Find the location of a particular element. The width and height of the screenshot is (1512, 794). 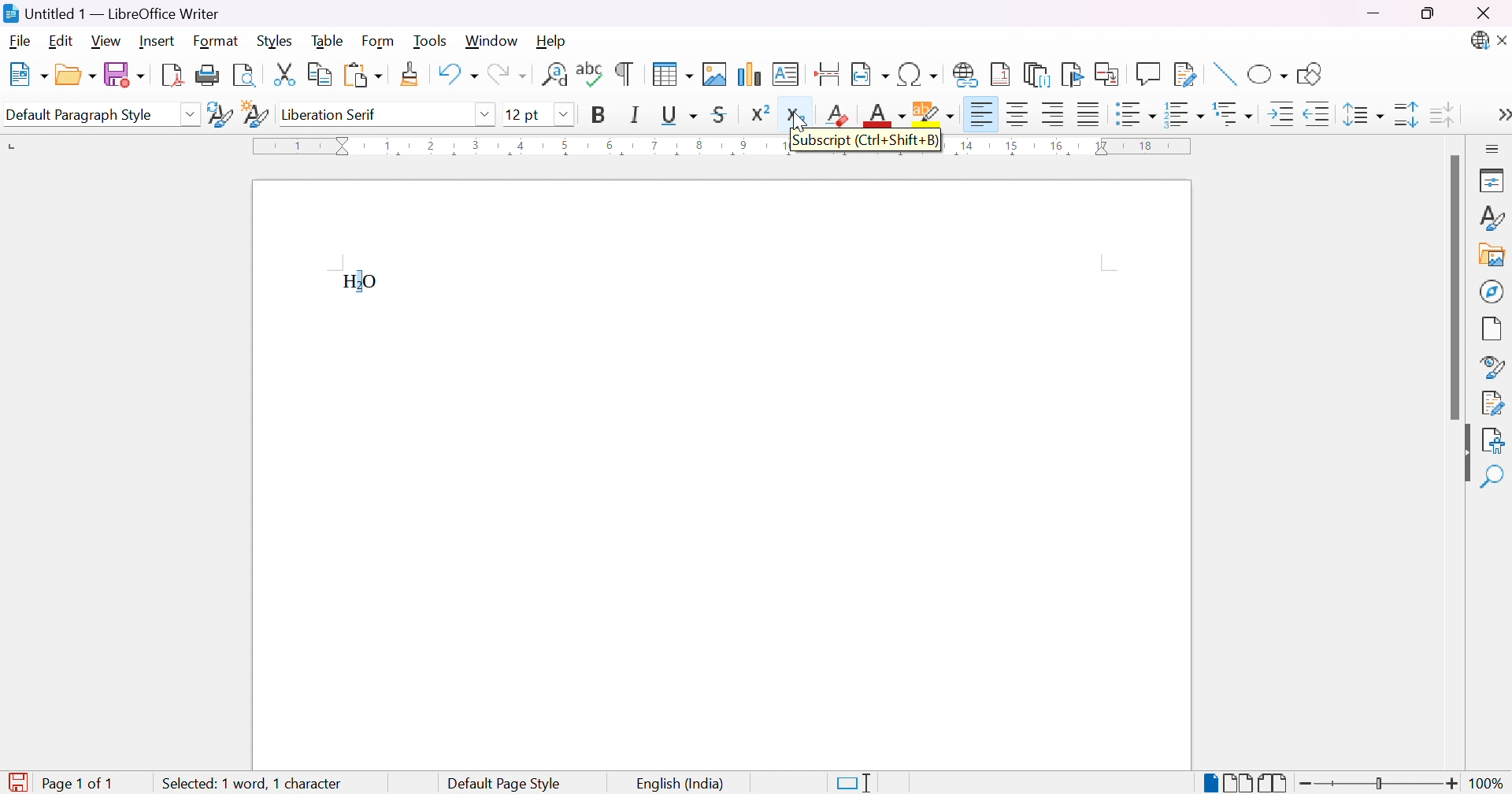

Open is located at coordinates (75, 73).